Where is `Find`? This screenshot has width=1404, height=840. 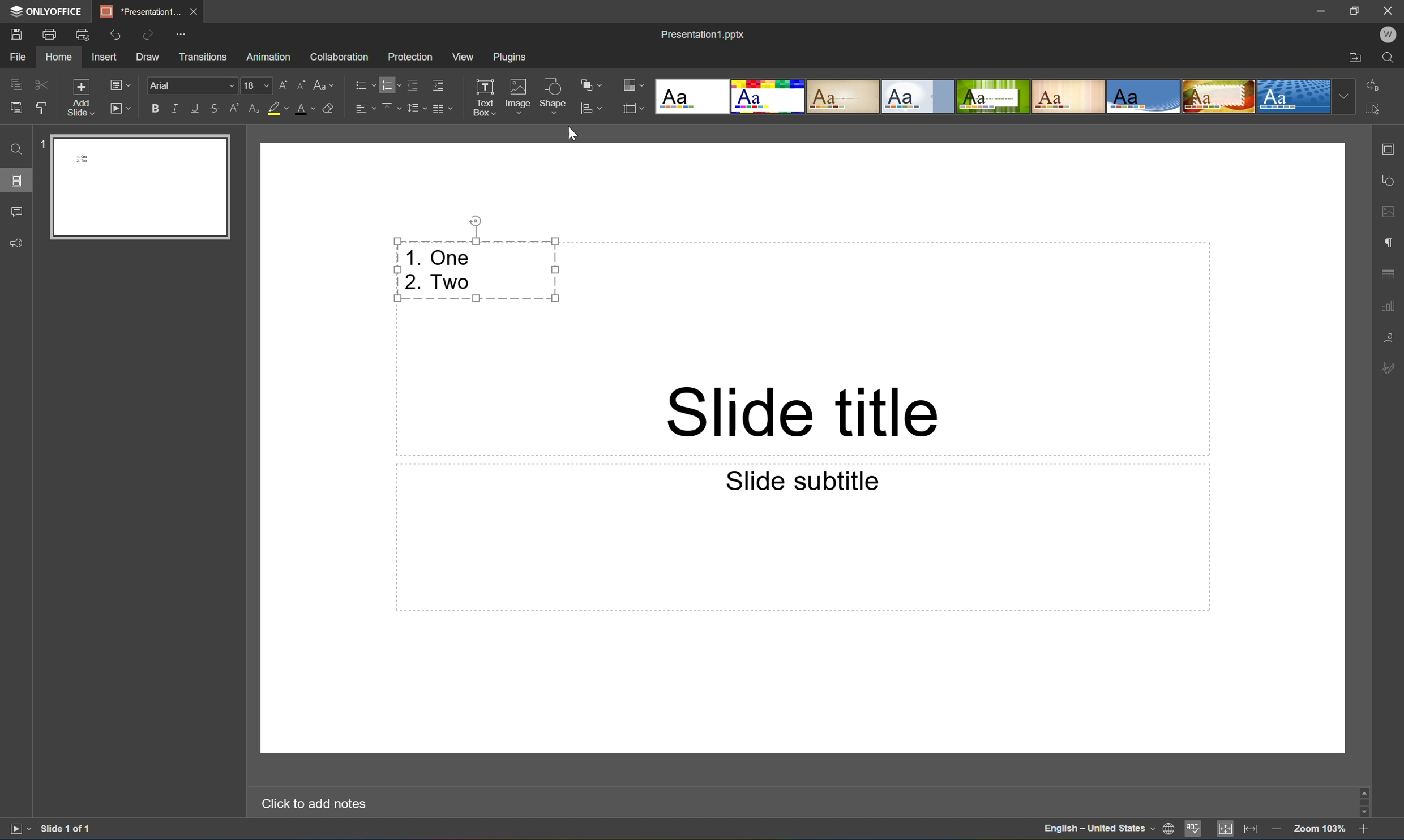 Find is located at coordinates (1390, 57).